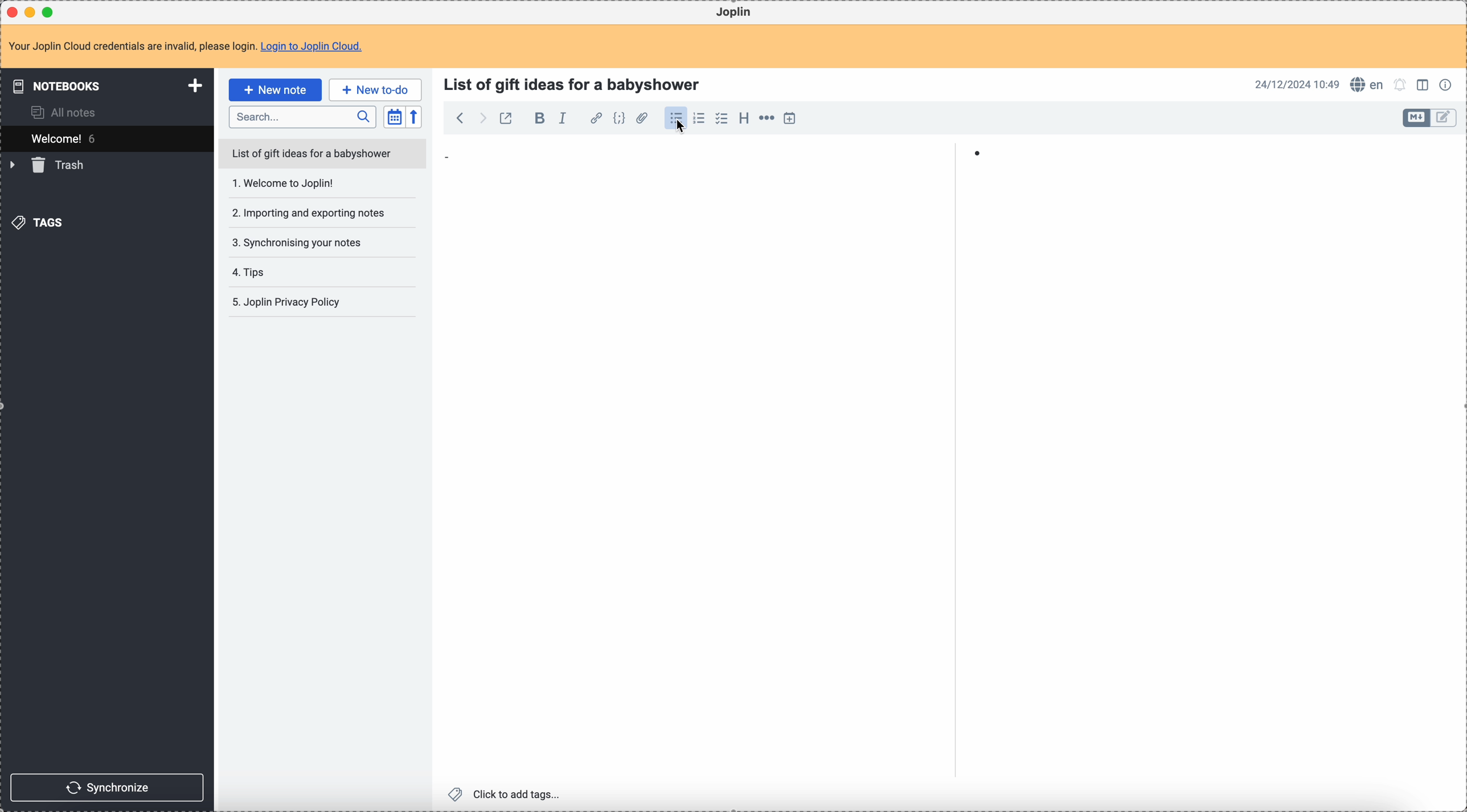  What do you see at coordinates (564, 119) in the screenshot?
I see `italic` at bounding box center [564, 119].